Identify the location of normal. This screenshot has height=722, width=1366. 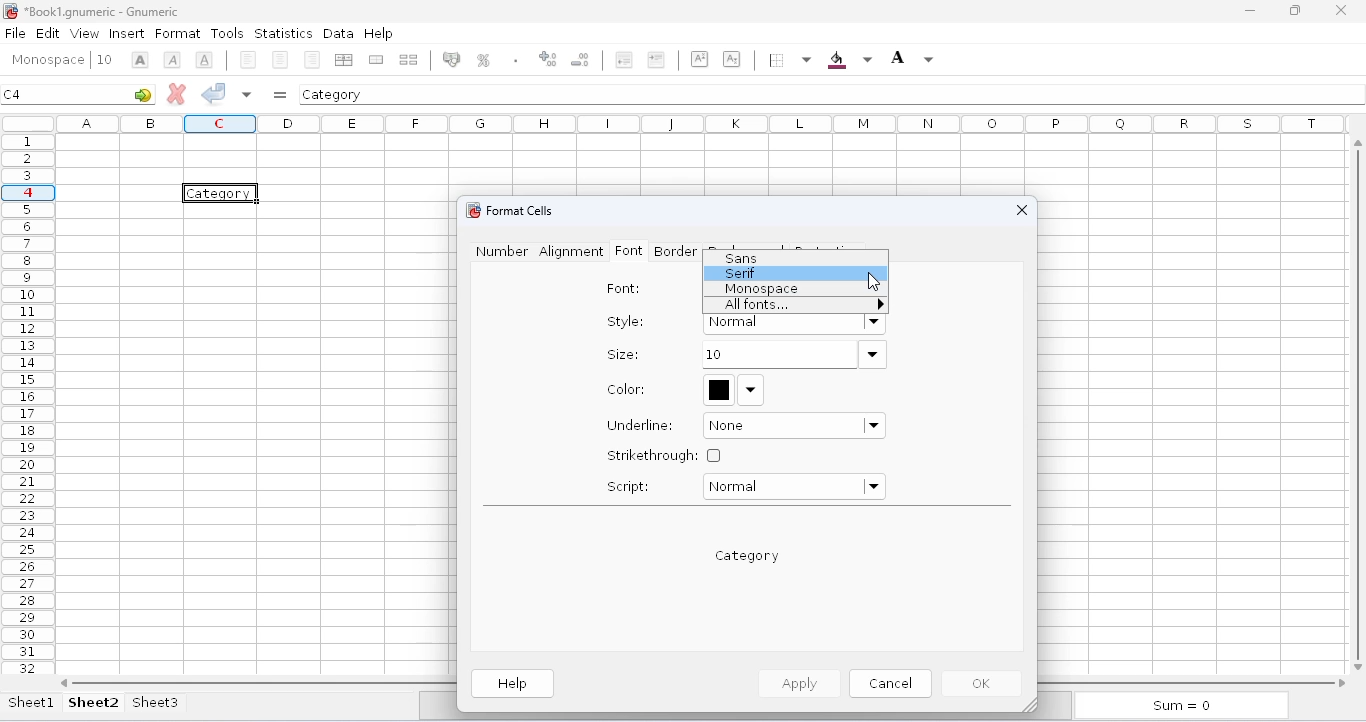
(793, 487).